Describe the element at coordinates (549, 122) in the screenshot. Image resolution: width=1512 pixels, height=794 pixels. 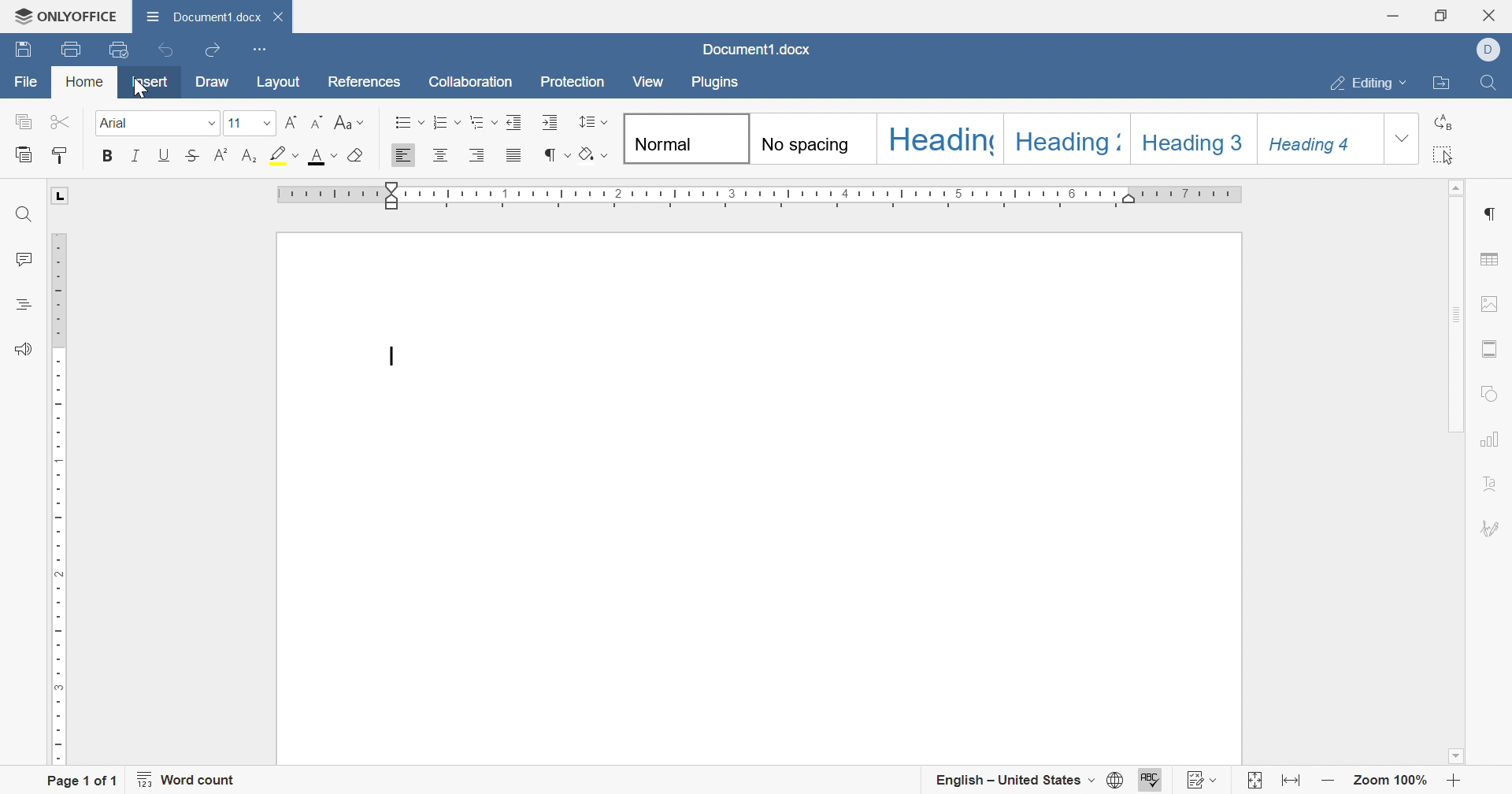
I see `Increase indect` at that location.